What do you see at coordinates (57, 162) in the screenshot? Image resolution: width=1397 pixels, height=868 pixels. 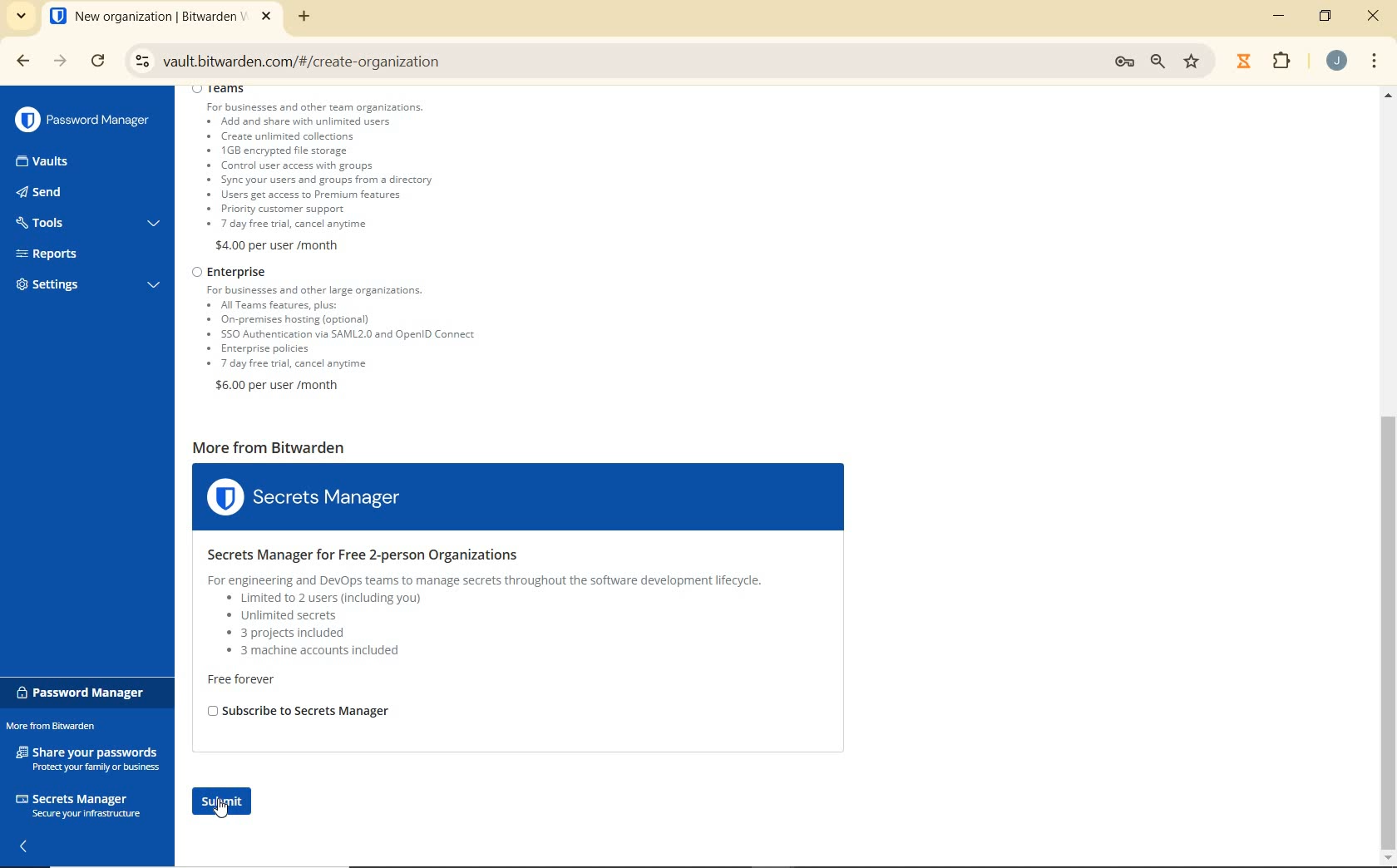 I see `vaults` at bounding box center [57, 162].